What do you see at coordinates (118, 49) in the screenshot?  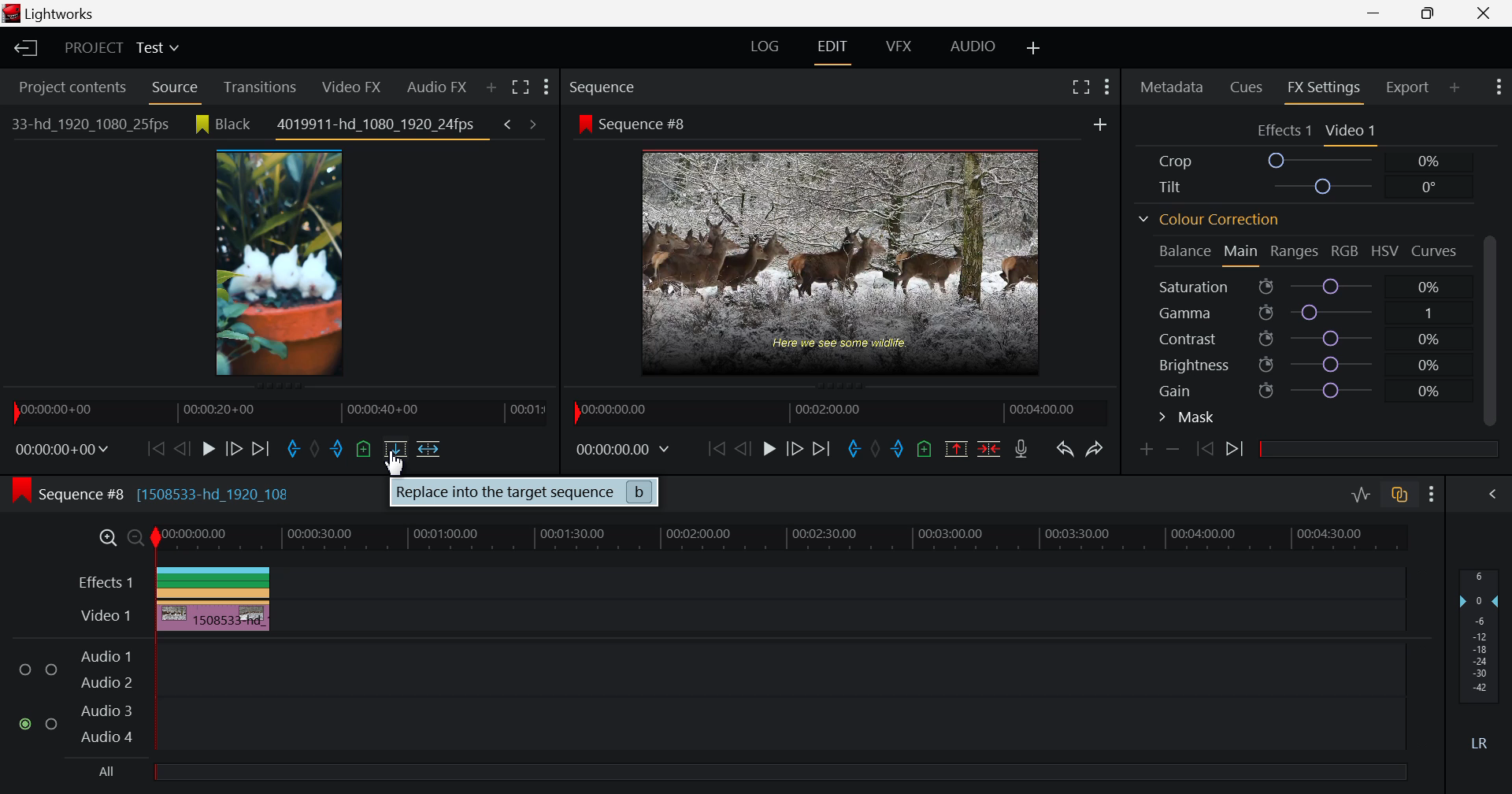 I see `Project Title` at bounding box center [118, 49].